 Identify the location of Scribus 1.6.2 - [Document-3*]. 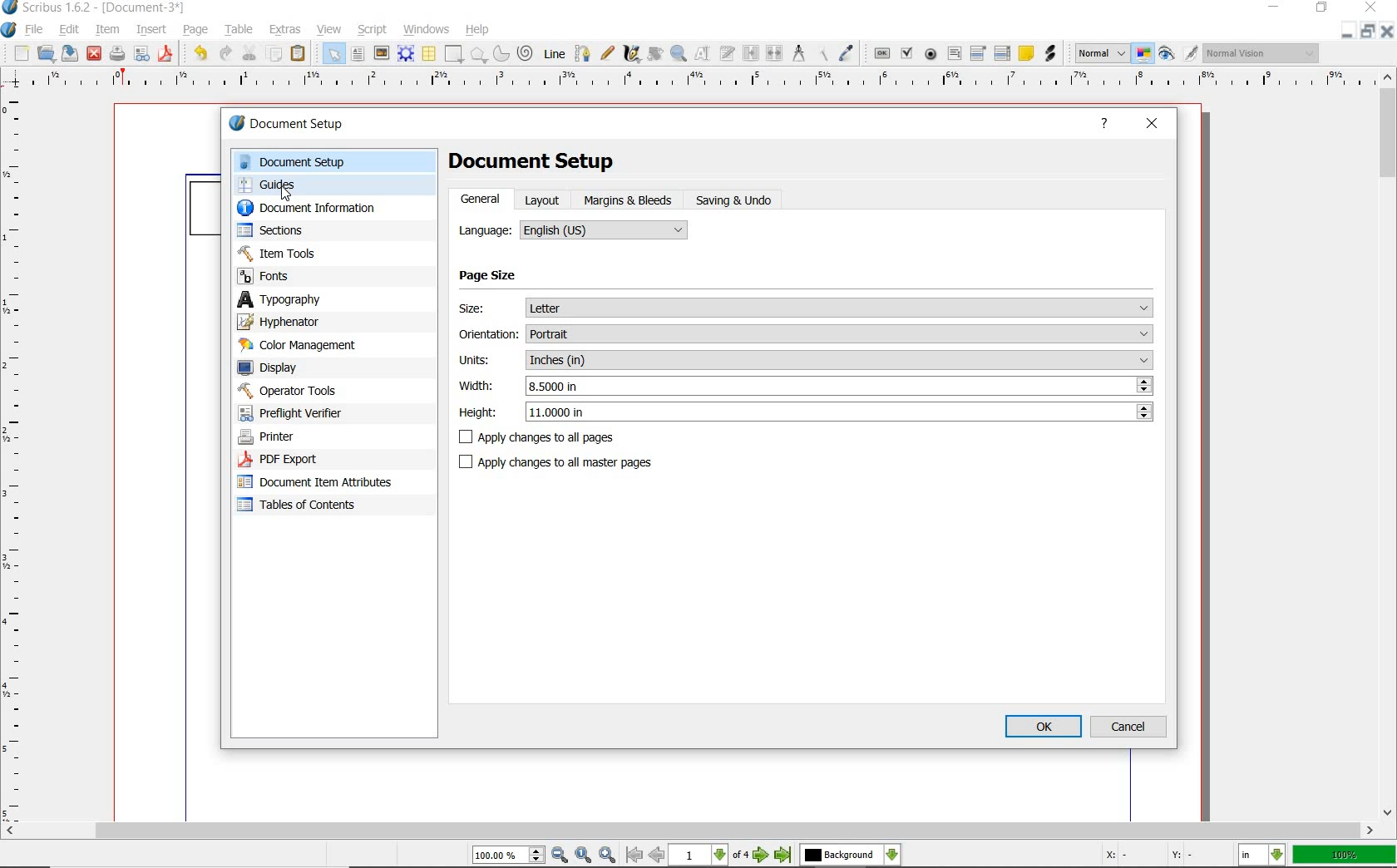
(94, 8).